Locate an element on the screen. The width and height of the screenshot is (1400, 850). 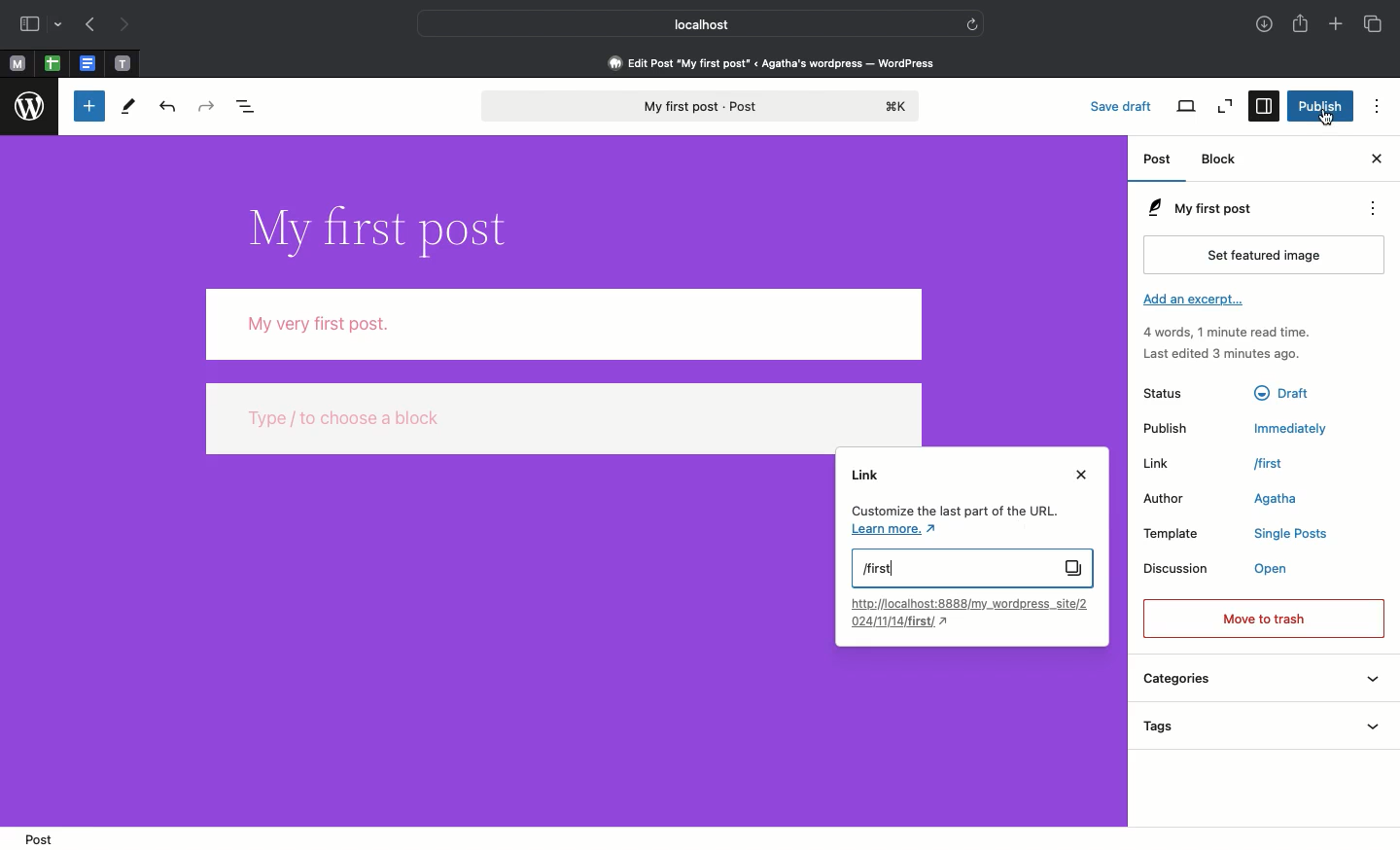
View is located at coordinates (1185, 108).